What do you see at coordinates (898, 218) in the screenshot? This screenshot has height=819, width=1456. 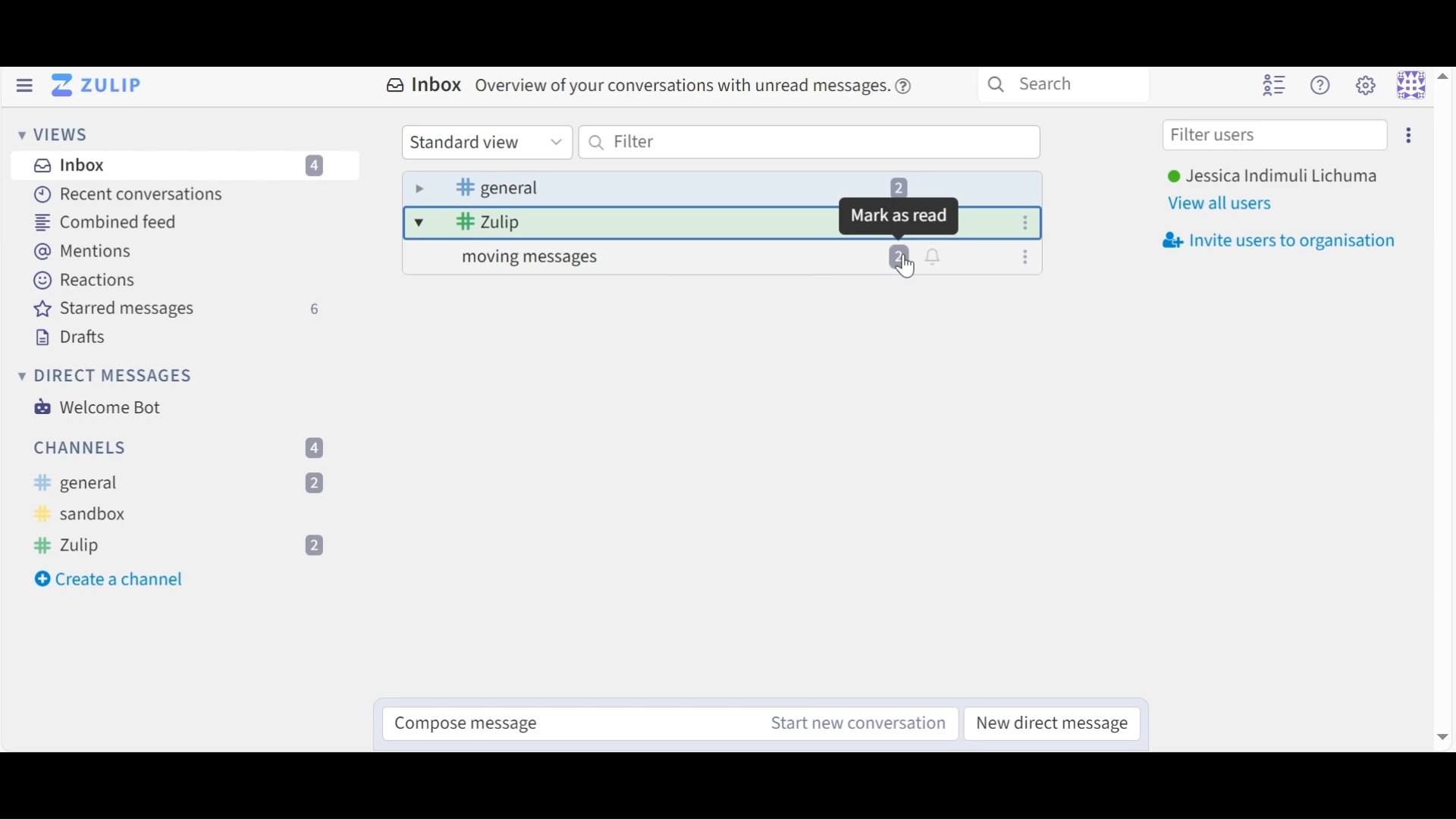 I see `mark as read` at bounding box center [898, 218].